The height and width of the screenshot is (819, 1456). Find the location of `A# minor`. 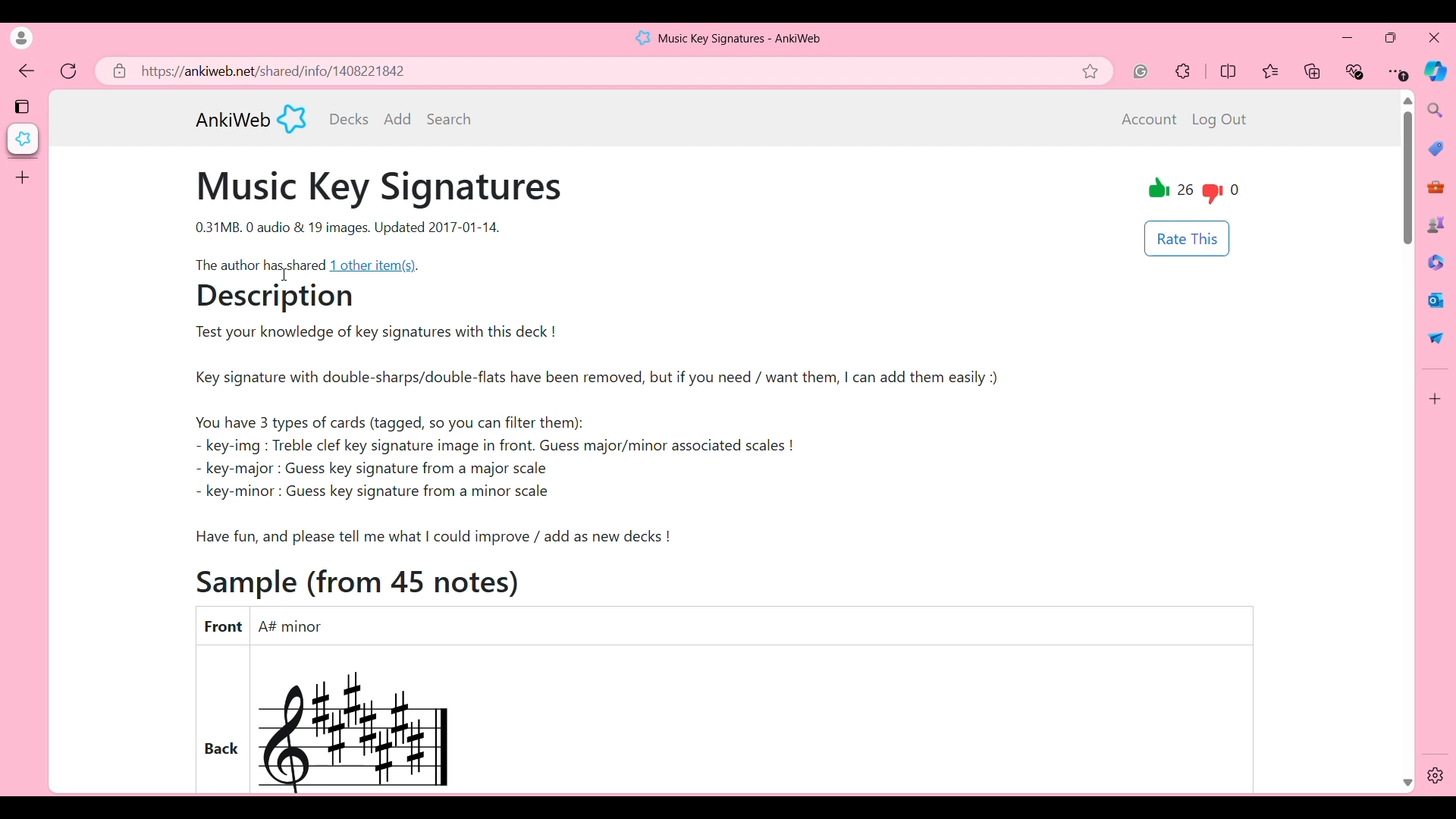

A# minor is located at coordinates (303, 626).